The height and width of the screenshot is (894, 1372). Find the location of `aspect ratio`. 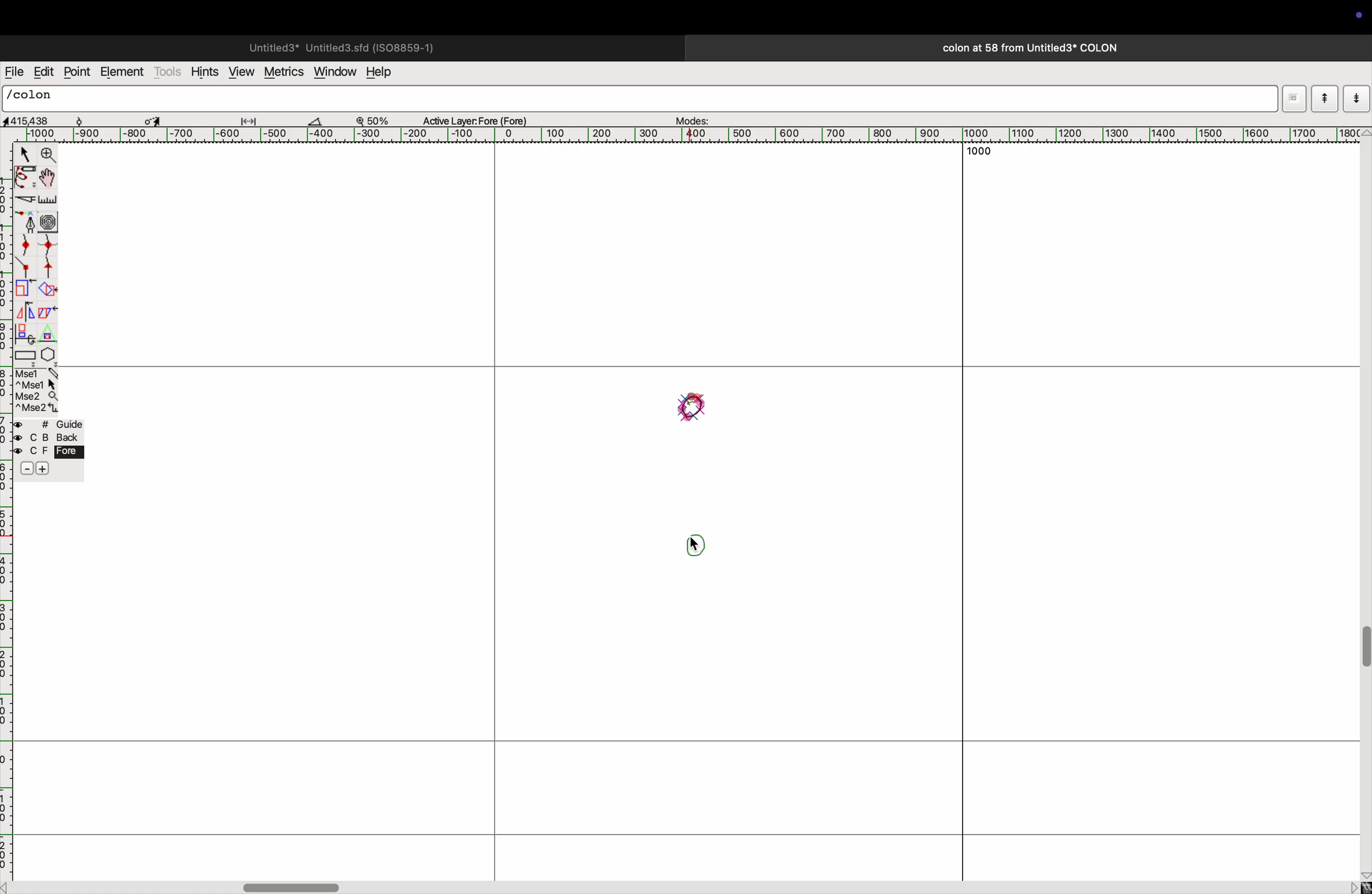

aspect ratio is located at coordinates (31, 121).